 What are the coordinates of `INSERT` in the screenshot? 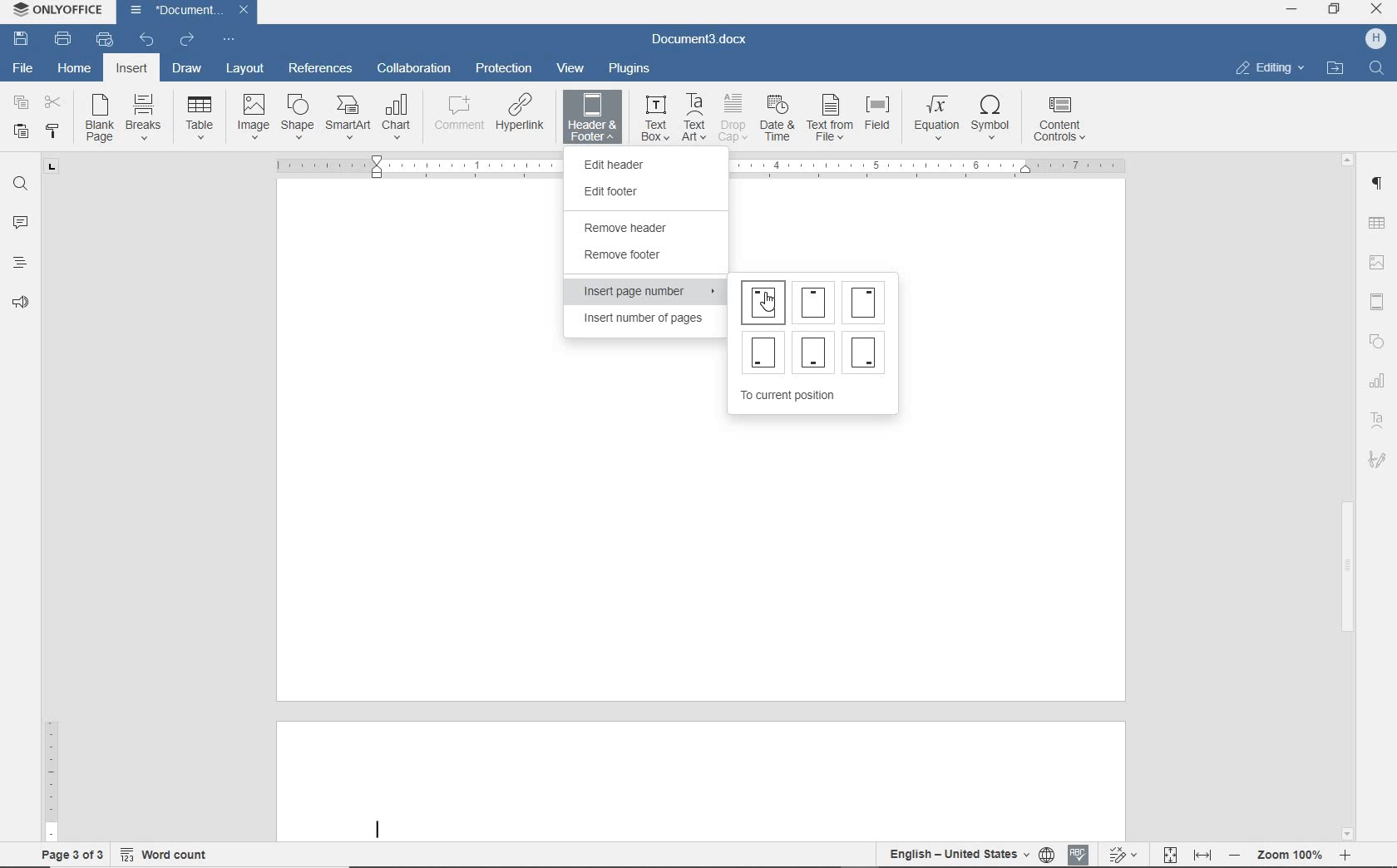 It's located at (133, 71).